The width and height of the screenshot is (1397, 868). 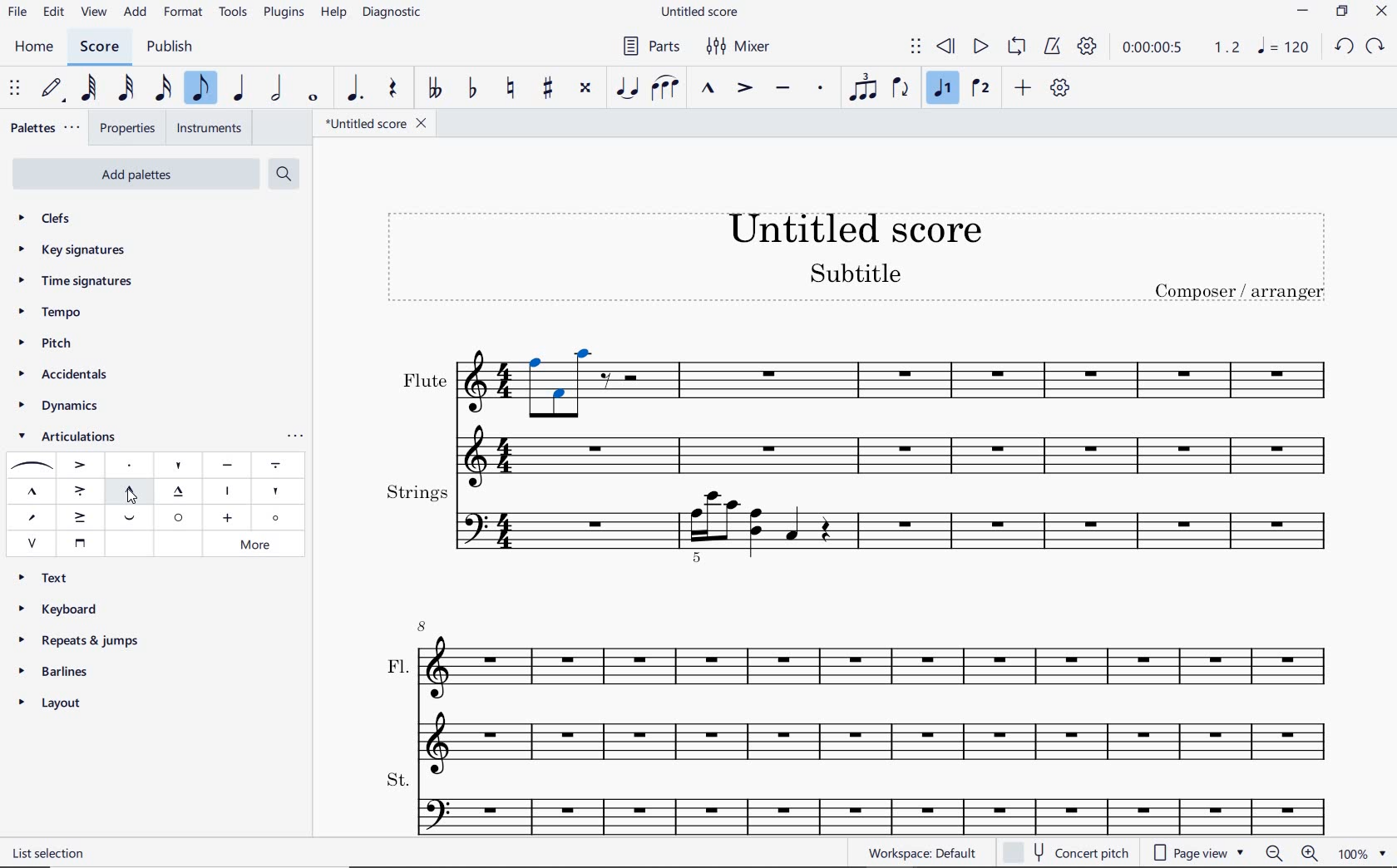 What do you see at coordinates (1302, 11) in the screenshot?
I see `minimize` at bounding box center [1302, 11].